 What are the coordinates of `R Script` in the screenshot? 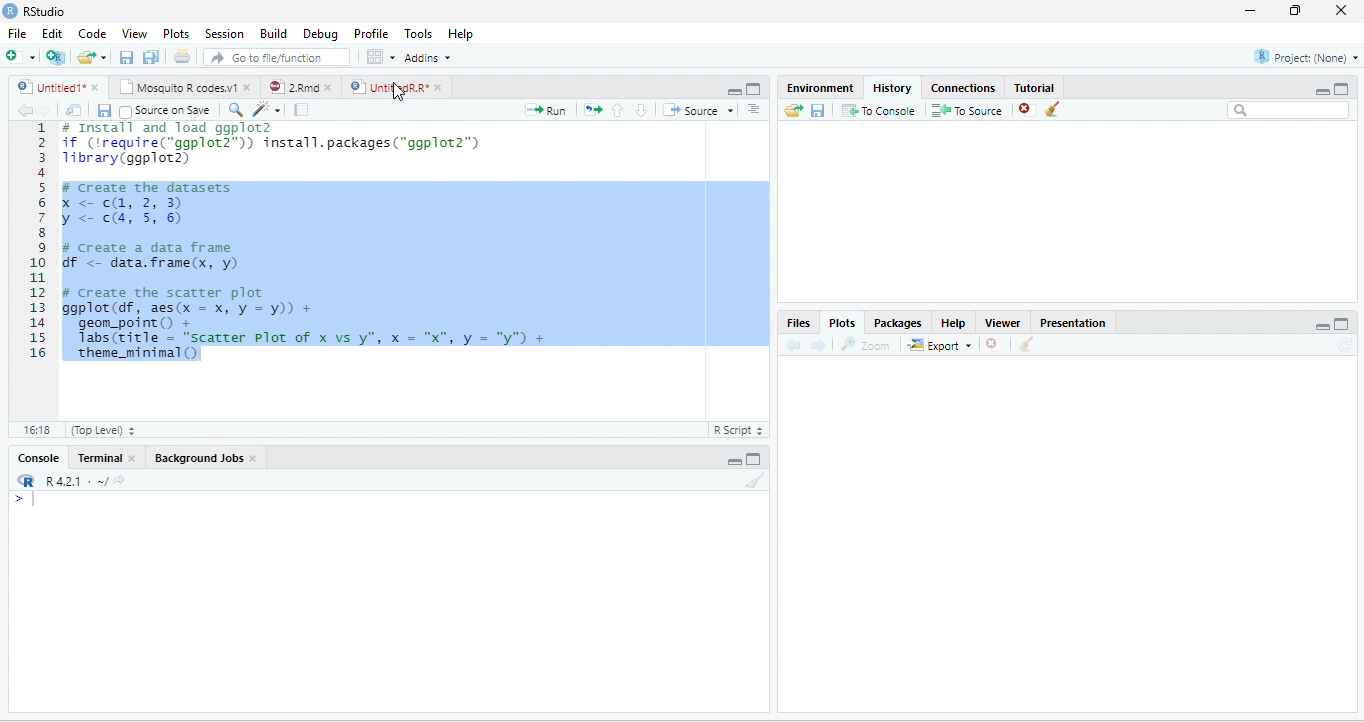 It's located at (740, 430).